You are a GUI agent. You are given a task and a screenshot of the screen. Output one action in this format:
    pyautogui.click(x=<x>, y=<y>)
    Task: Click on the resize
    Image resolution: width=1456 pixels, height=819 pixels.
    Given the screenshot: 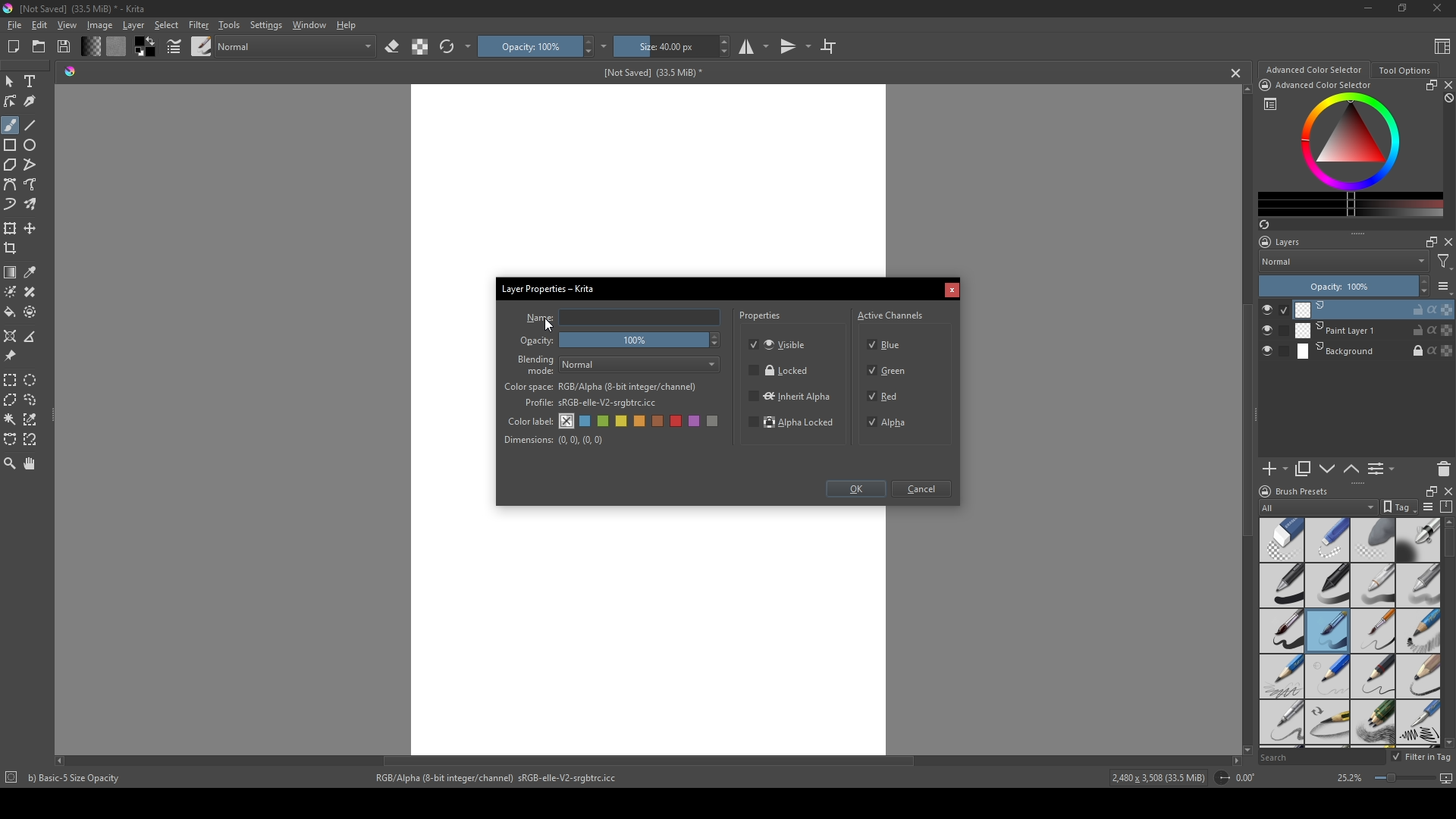 What is the action you would take?
    pyautogui.click(x=1428, y=490)
    